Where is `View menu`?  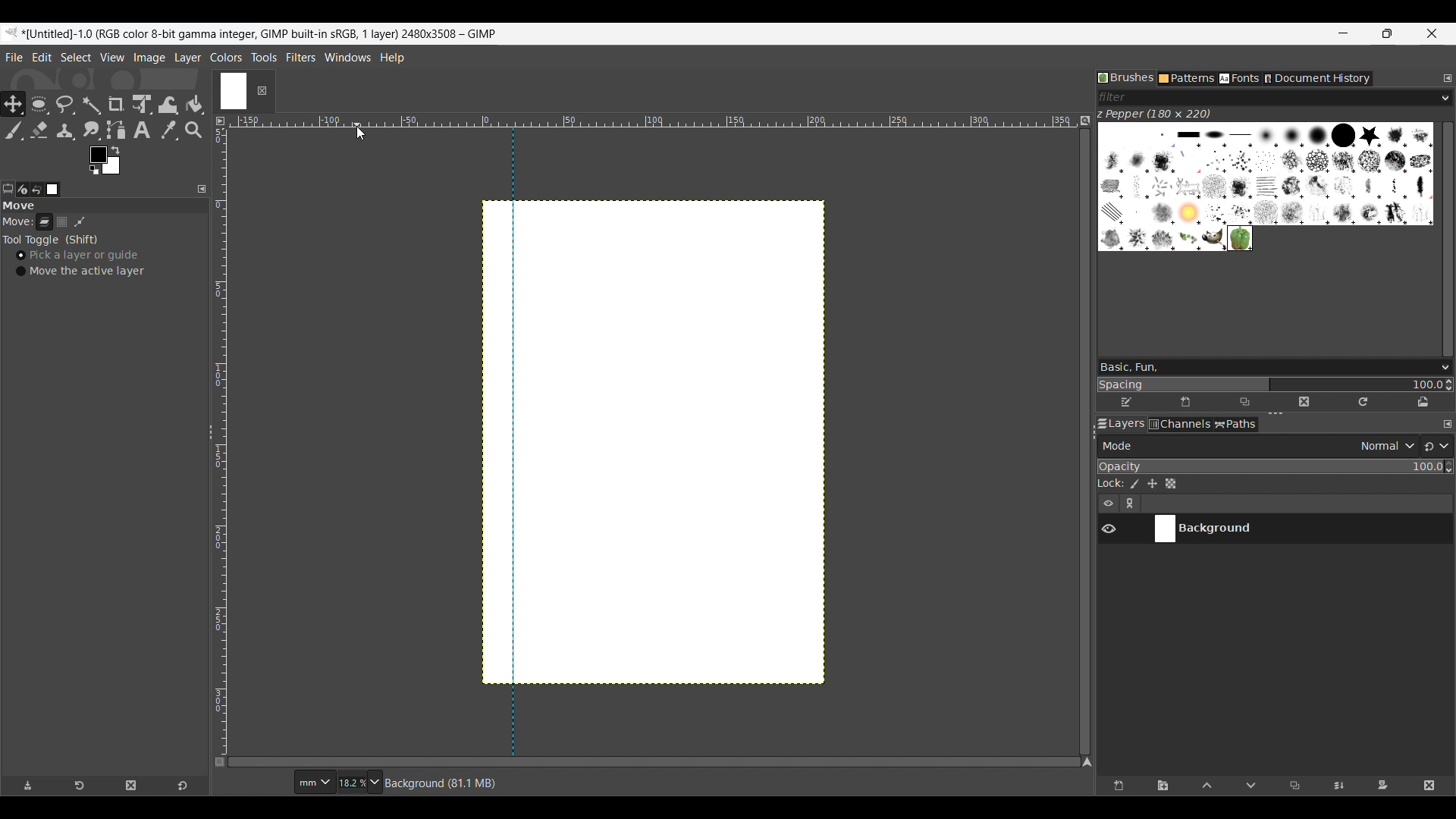 View menu is located at coordinates (111, 57).